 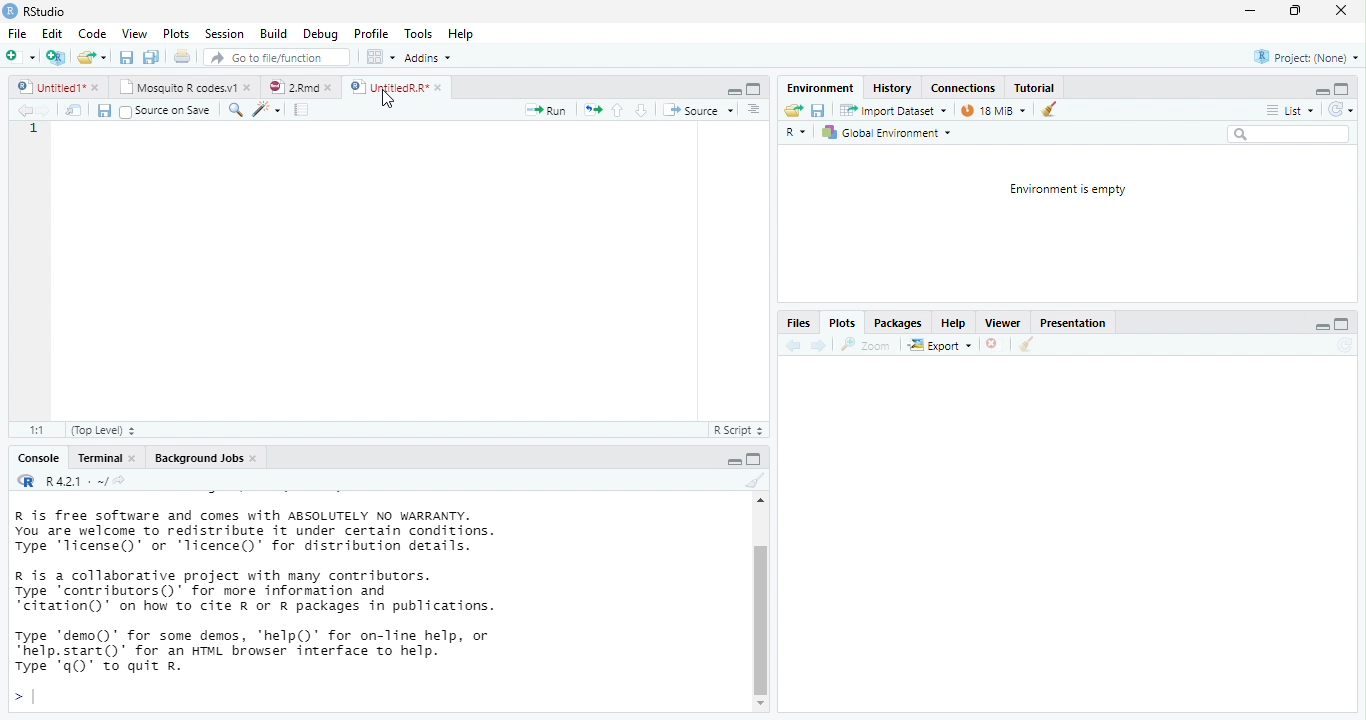 I want to click on Build, so click(x=273, y=34).